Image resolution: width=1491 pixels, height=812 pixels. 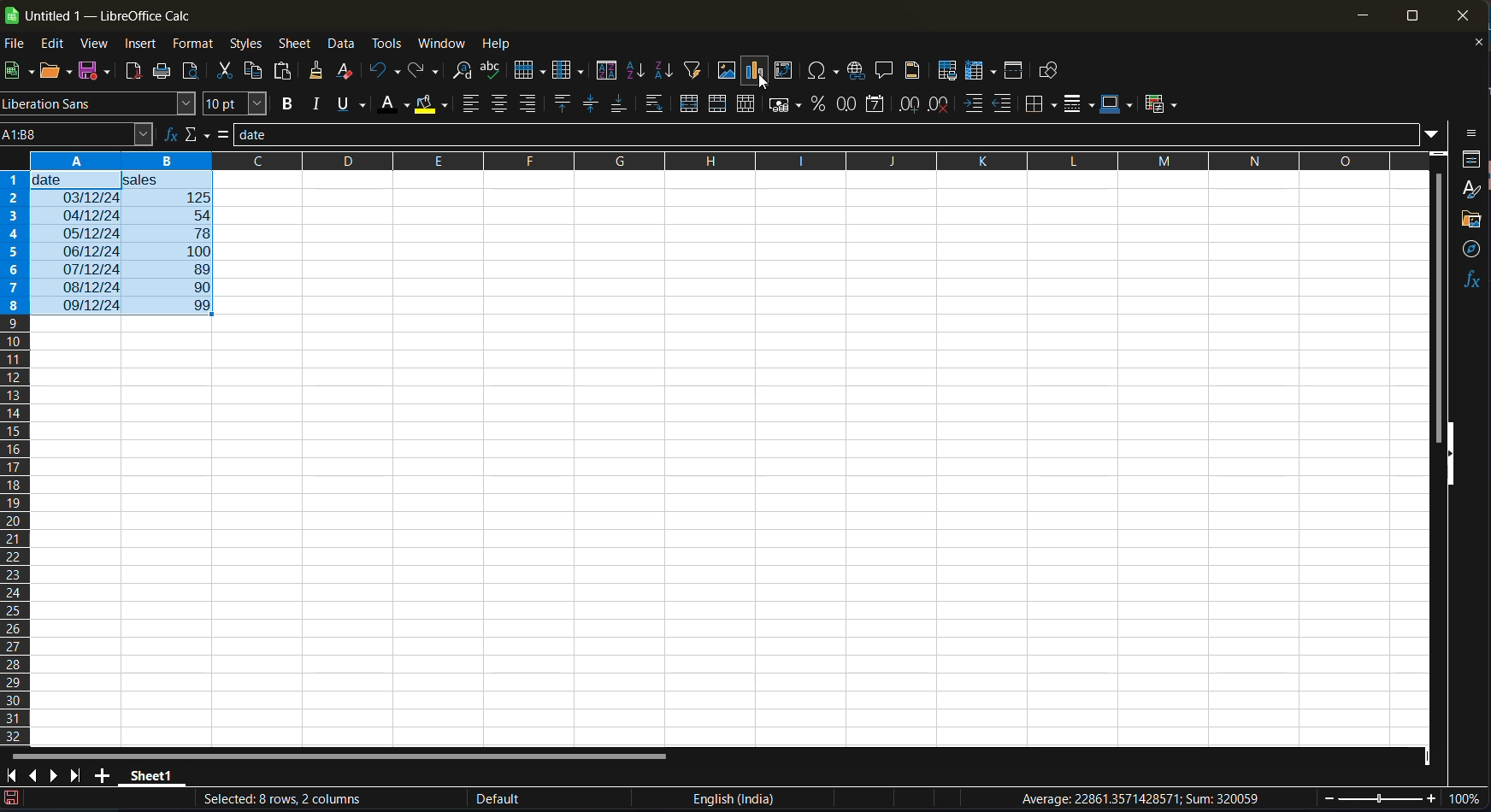 I want to click on align right, so click(x=527, y=103).